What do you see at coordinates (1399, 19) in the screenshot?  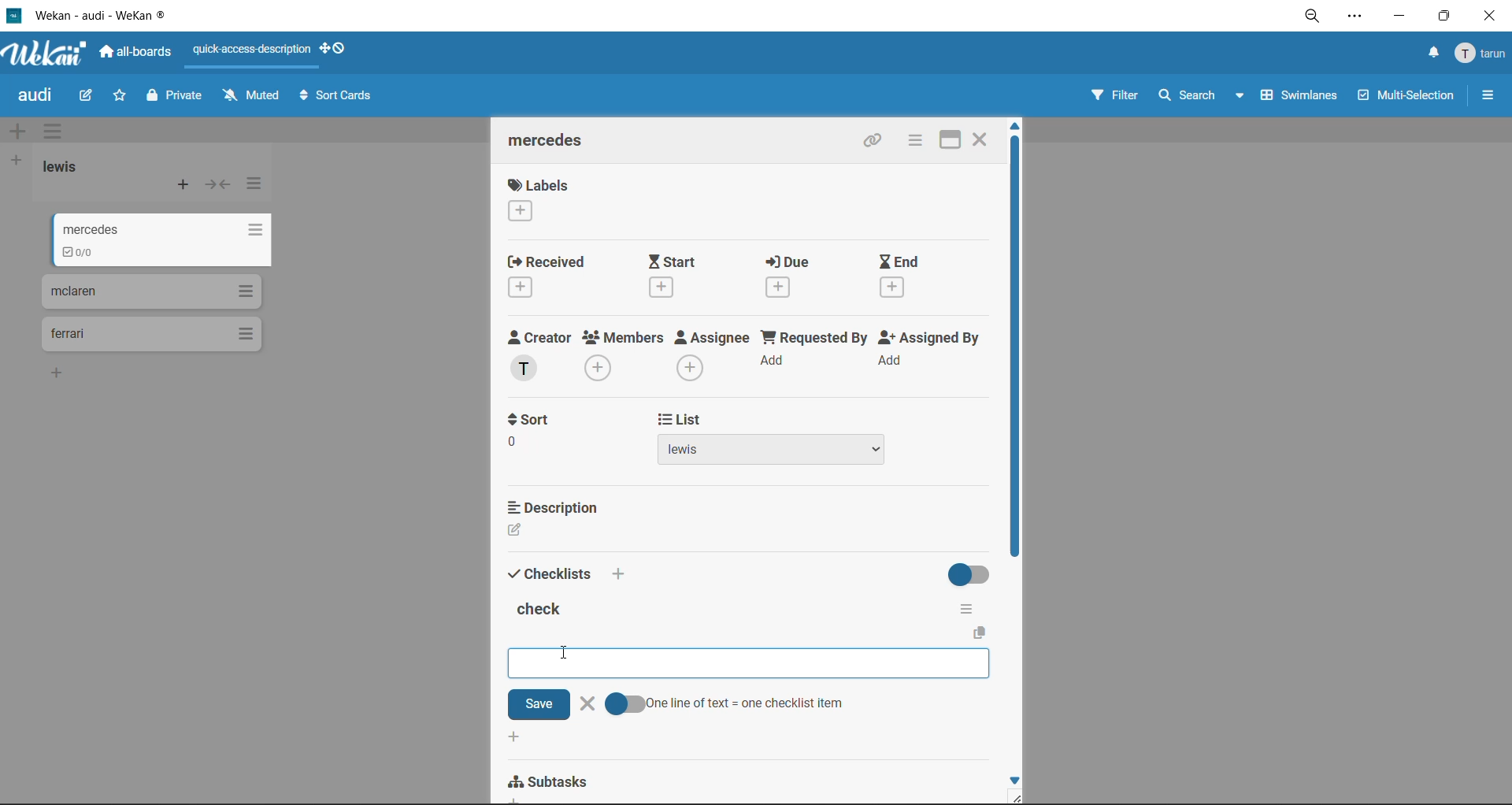 I see `minimize` at bounding box center [1399, 19].